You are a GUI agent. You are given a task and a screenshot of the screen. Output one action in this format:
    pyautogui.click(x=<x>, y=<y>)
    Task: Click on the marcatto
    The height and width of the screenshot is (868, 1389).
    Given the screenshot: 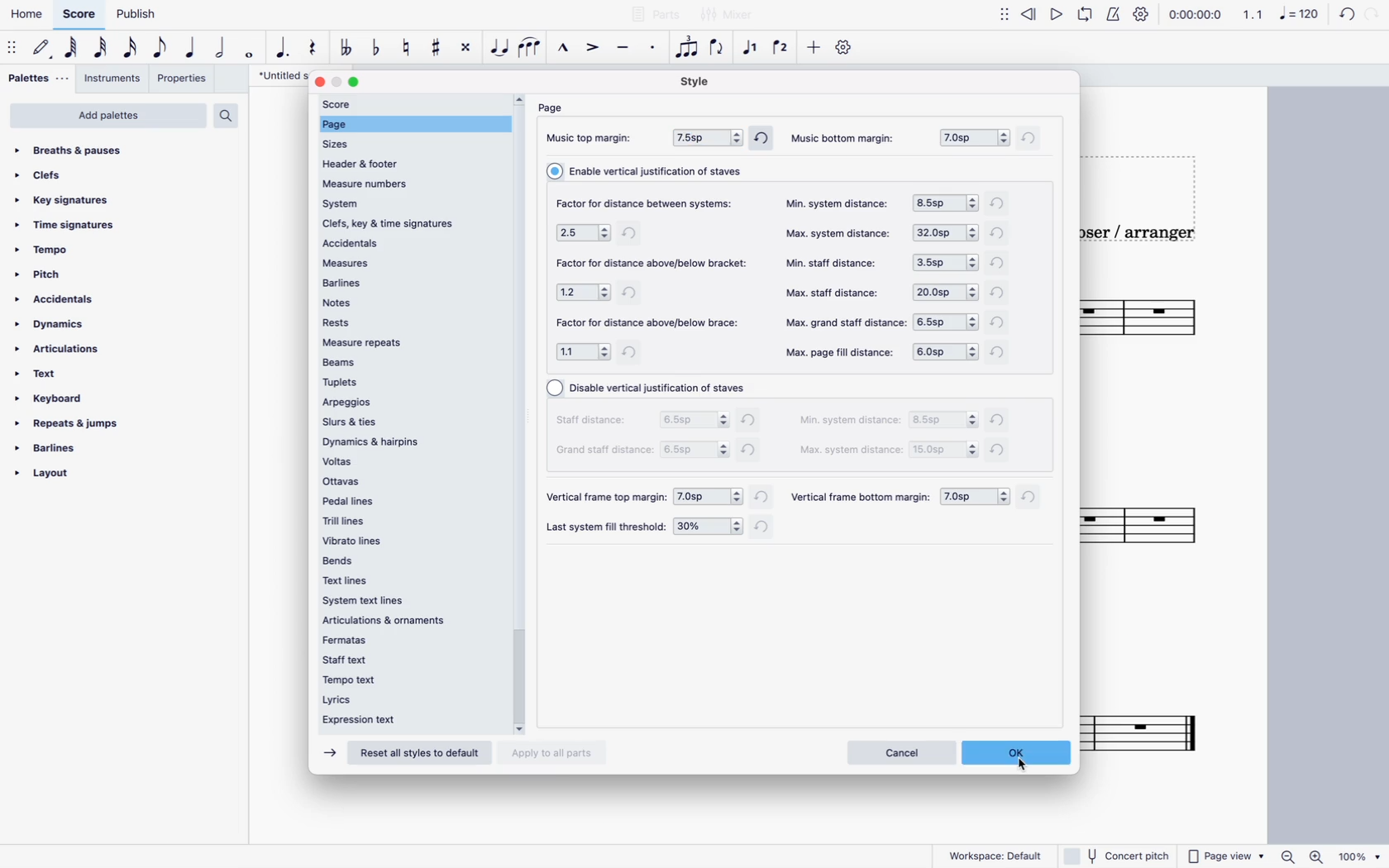 What is the action you would take?
    pyautogui.click(x=562, y=49)
    